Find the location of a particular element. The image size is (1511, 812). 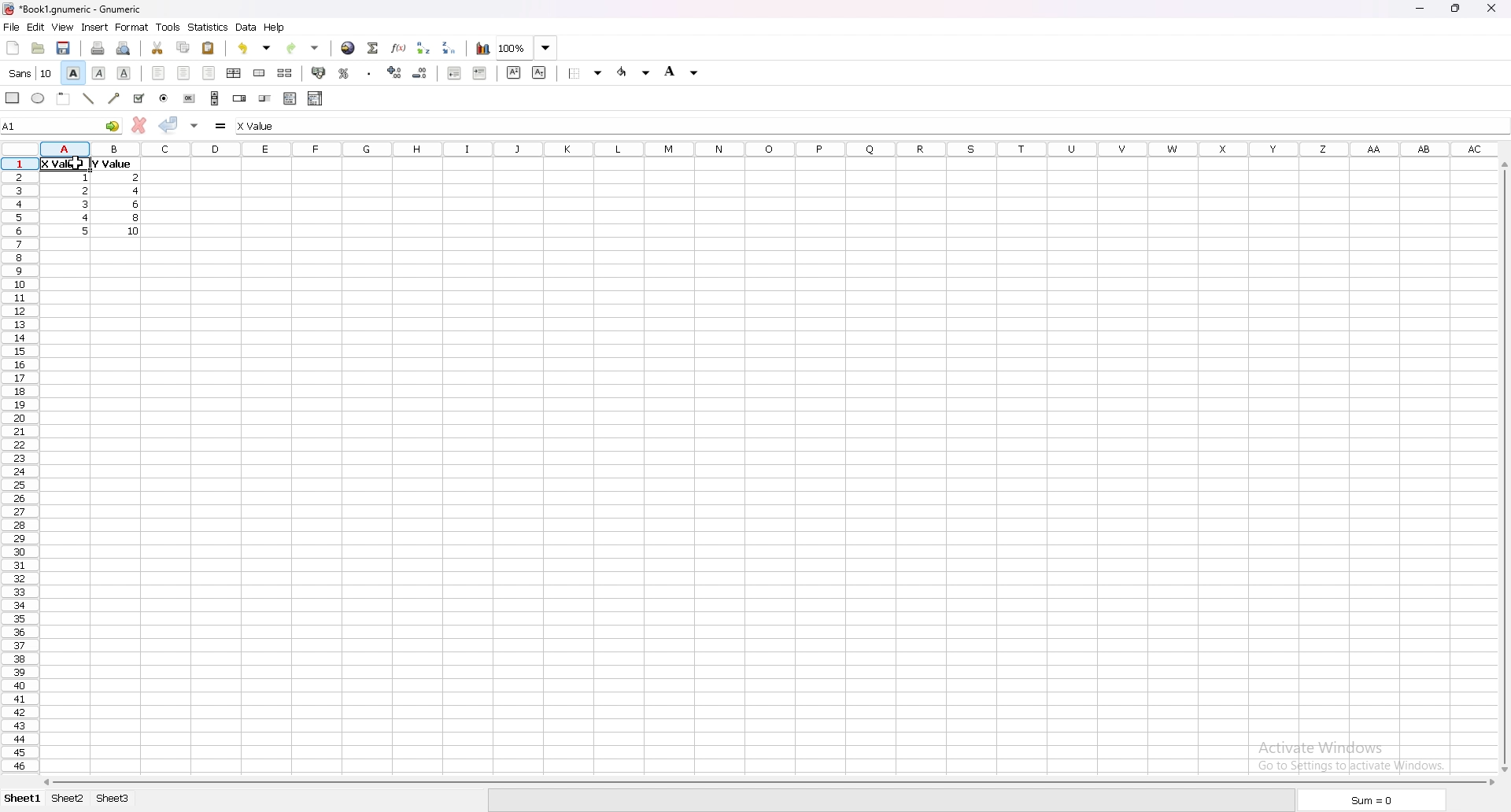

scroll bar is located at coordinates (767, 782).